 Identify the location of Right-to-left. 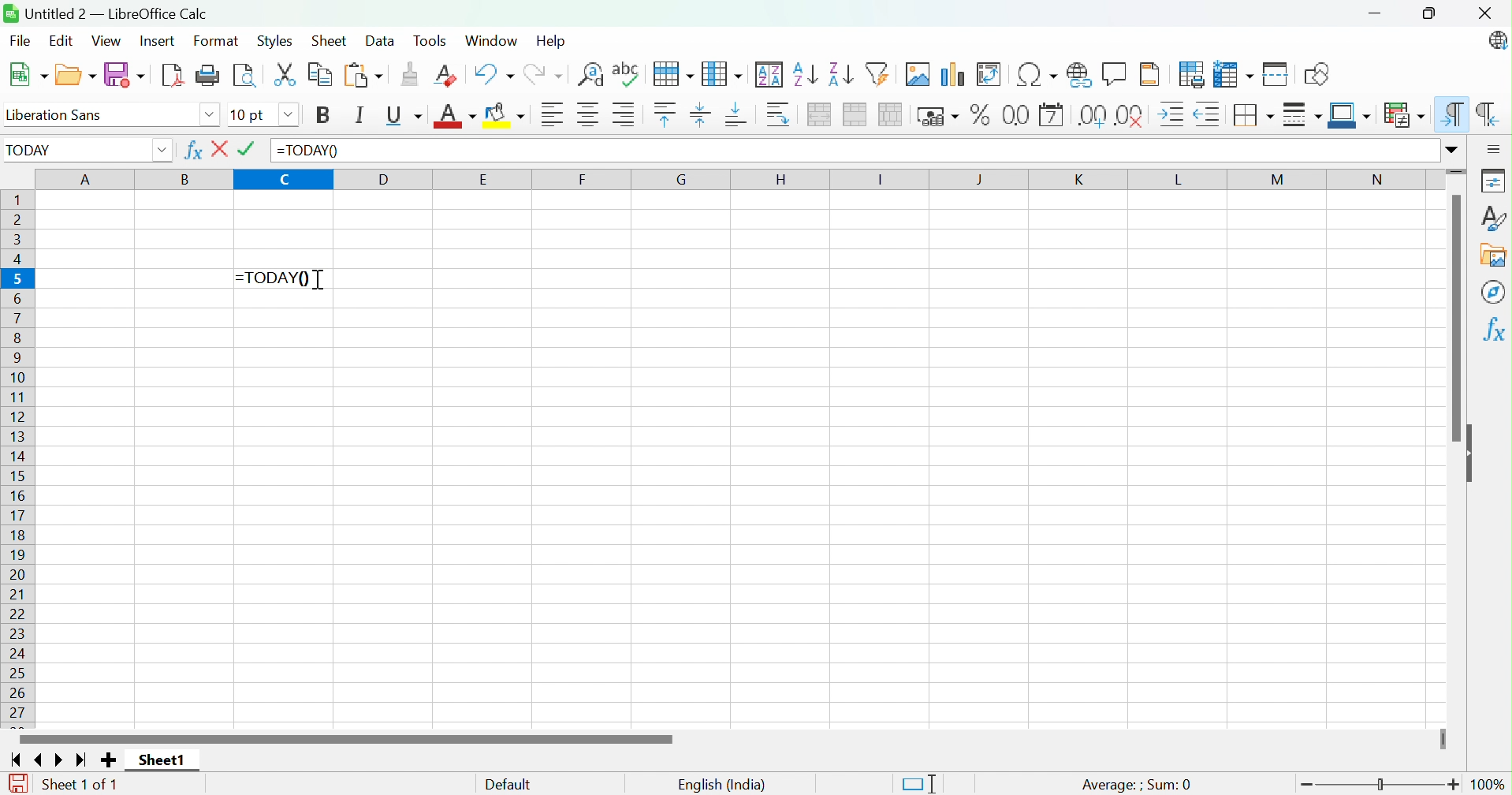
(1488, 115).